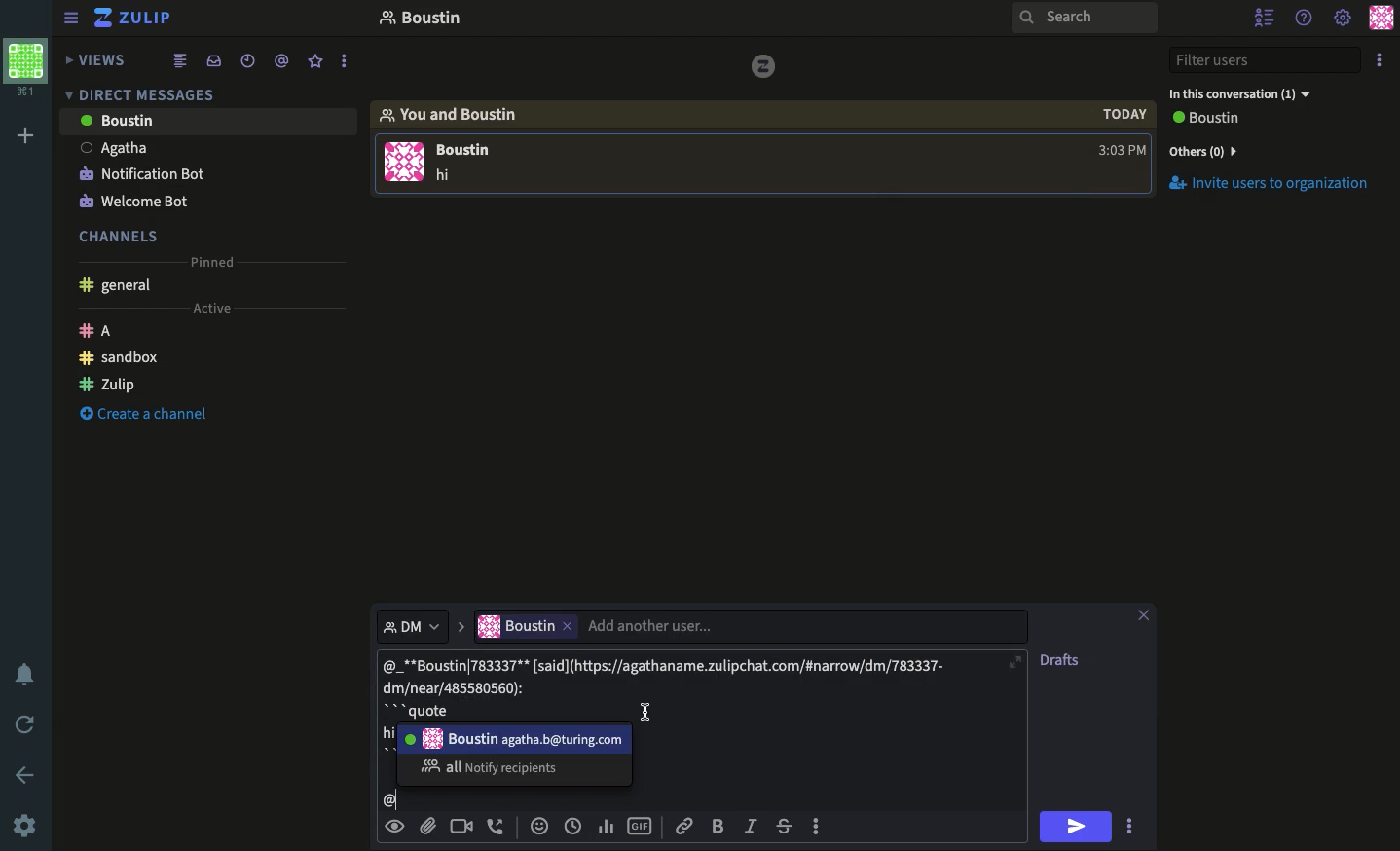  Describe the element at coordinates (645, 711) in the screenshot. I see `Mouse Cursor` at that location.